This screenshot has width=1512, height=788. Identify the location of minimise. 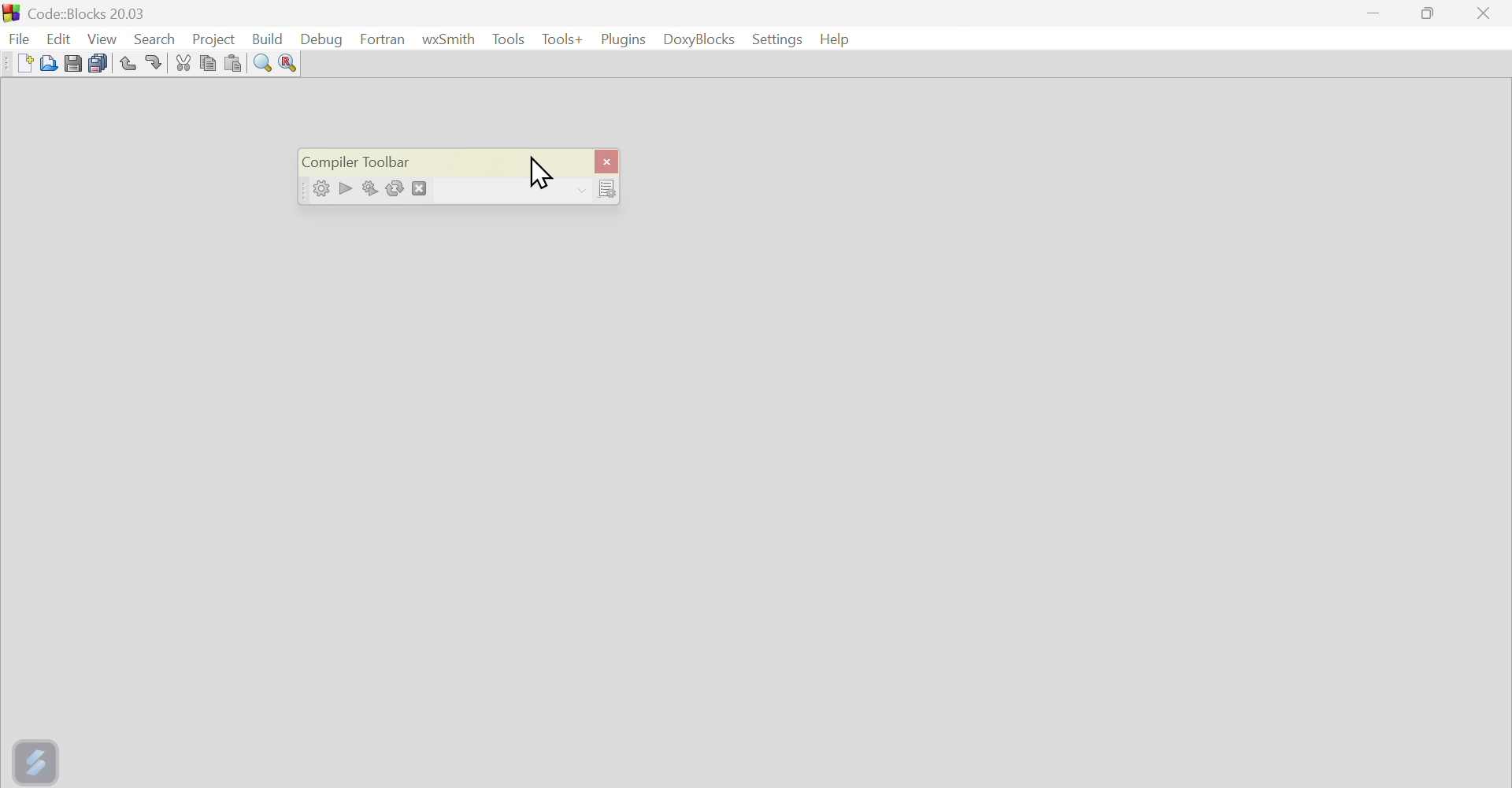
(1376, 16).